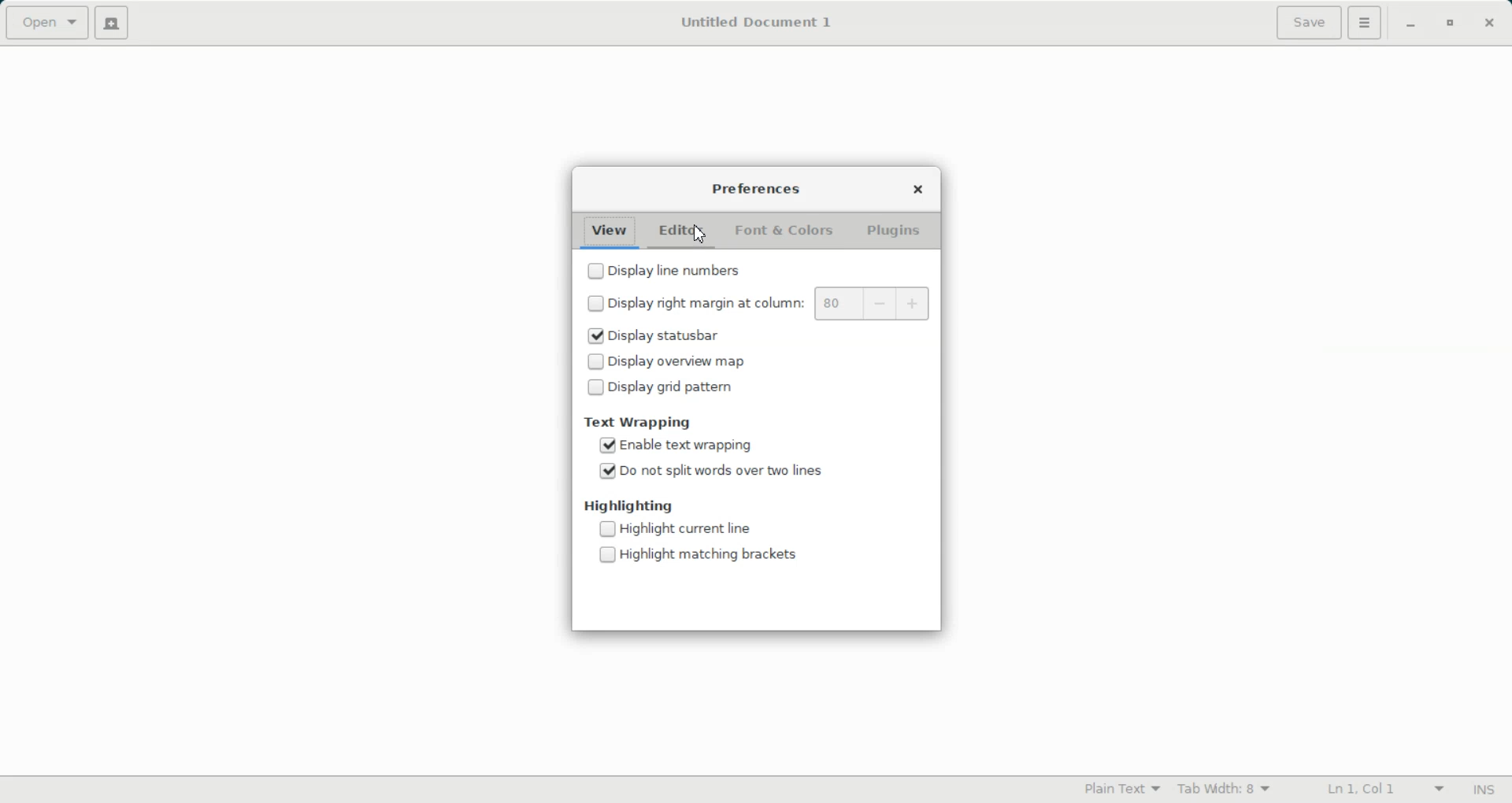 The height and width of the screenshot is (803, 1512). Describe the element at coordinates (753, 22) in the screenshot. I see `Untitled Document 1` at that location.